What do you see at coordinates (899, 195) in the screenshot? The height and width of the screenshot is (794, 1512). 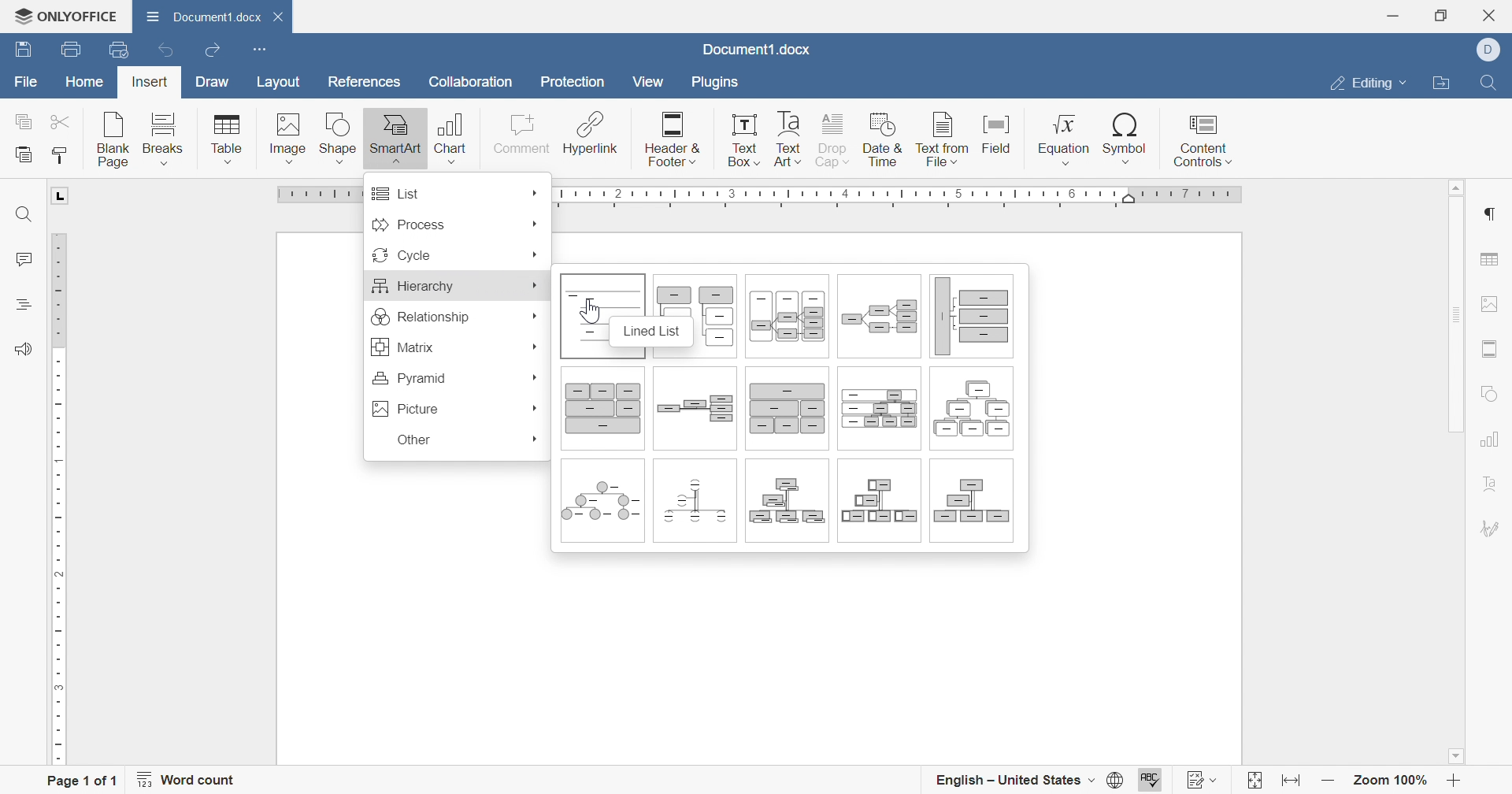 I see `Ruler` at bounding box center [899, 195].